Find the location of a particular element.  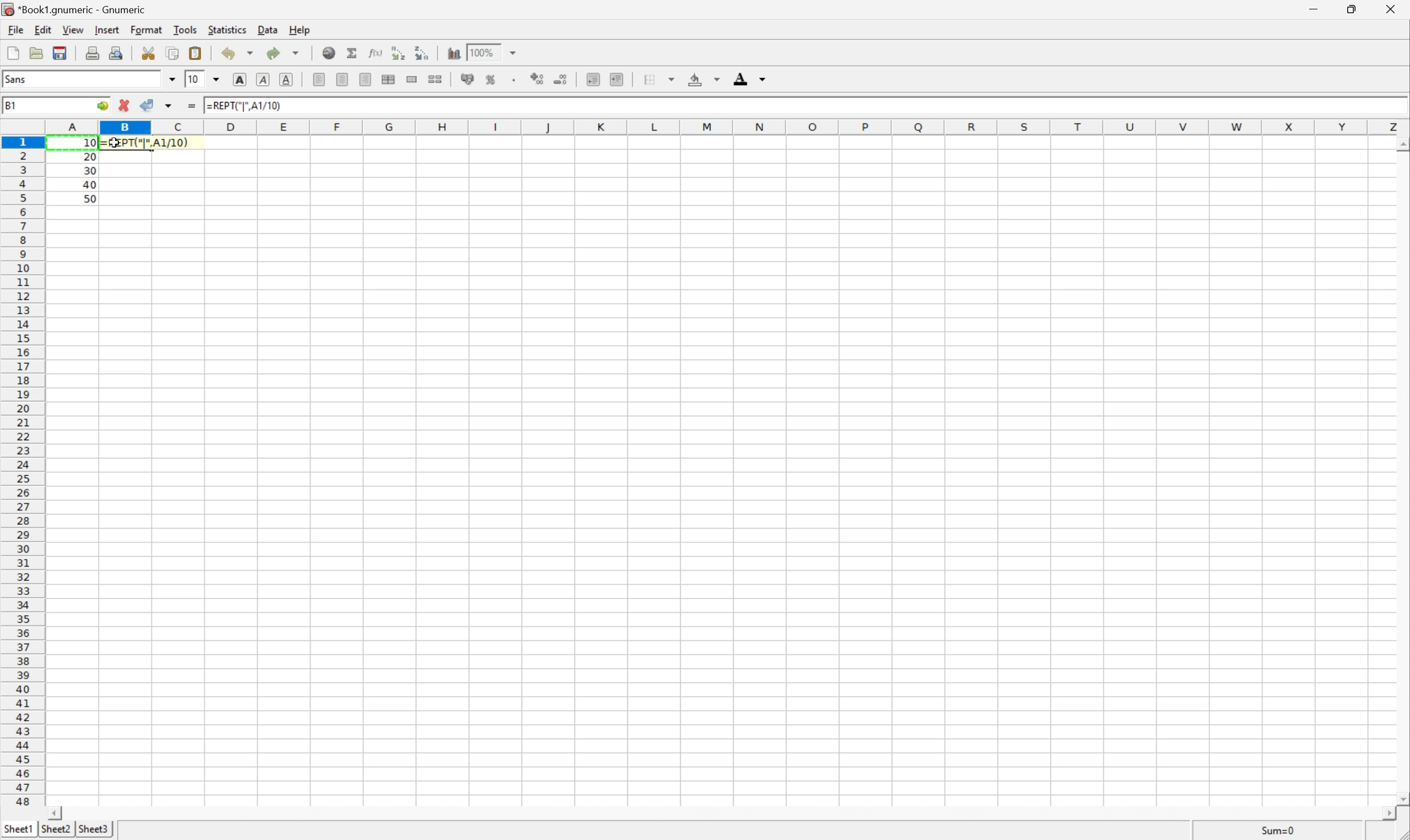

Cancel changes is located at coordinates (126, 106).